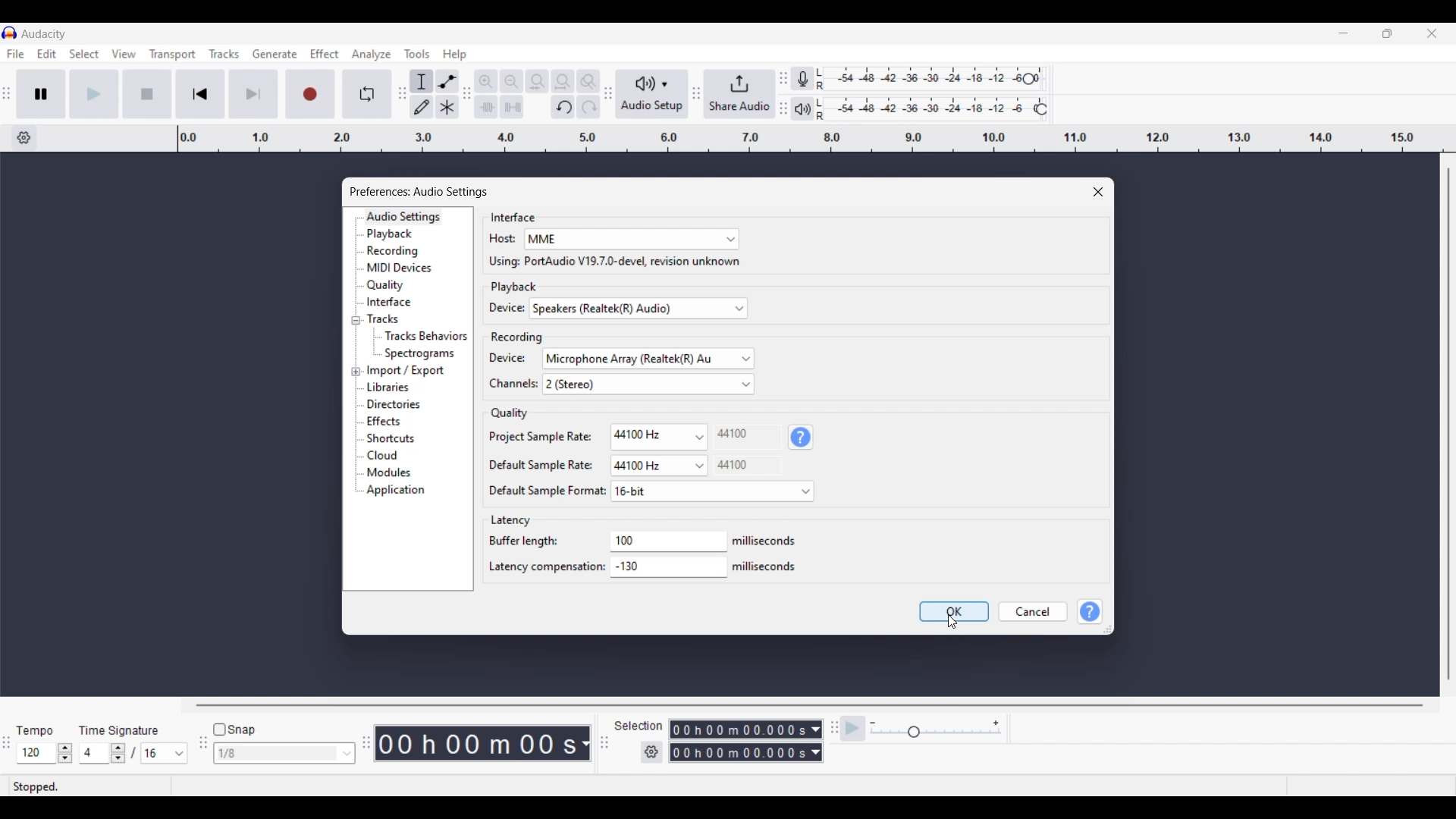  Describe the element at coordinates (427, 353) in the screenshot. I see `Spectrograms` at that location.